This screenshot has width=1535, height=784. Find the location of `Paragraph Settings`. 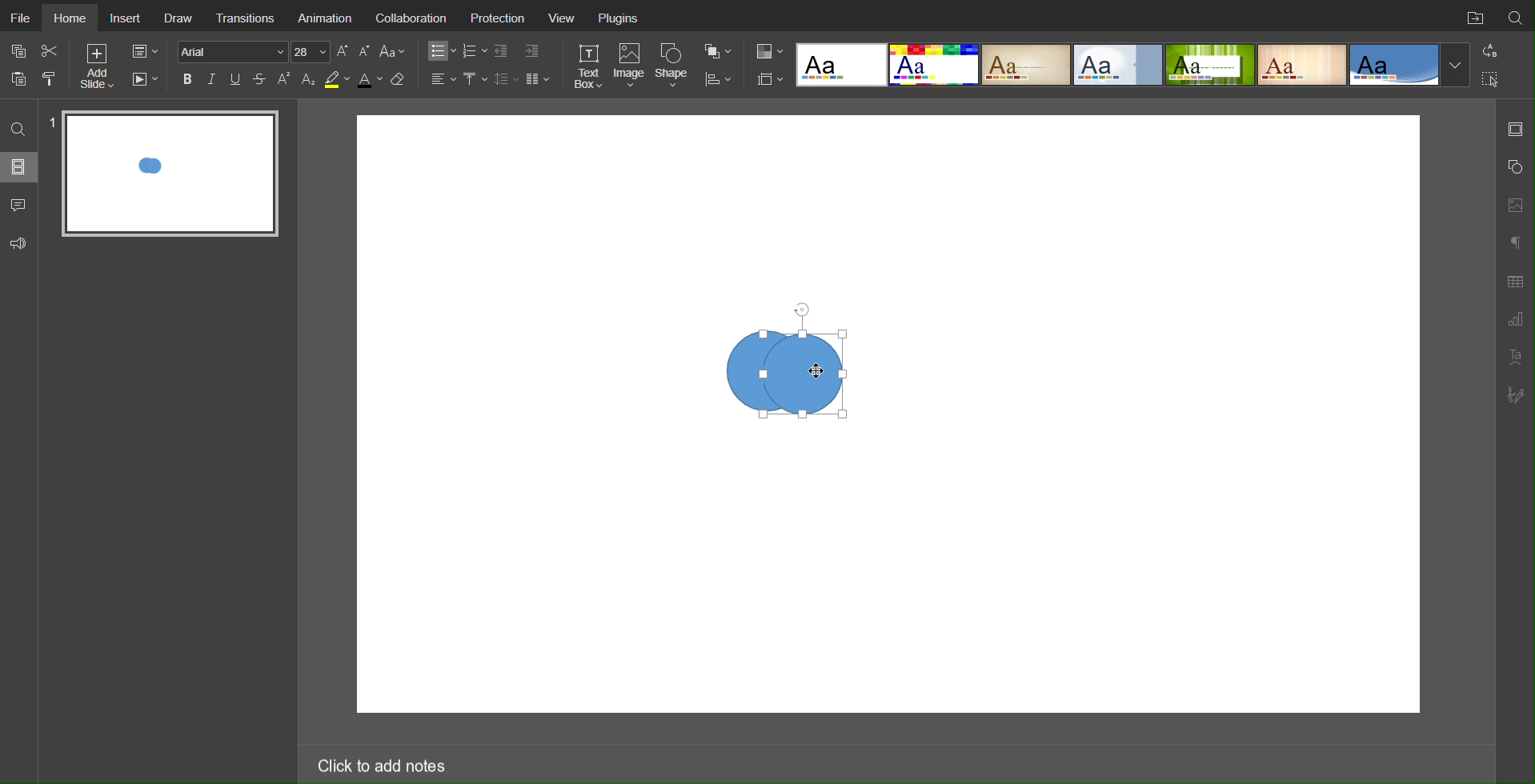

Paragraph Settings is located at coordinates (1514, 240).